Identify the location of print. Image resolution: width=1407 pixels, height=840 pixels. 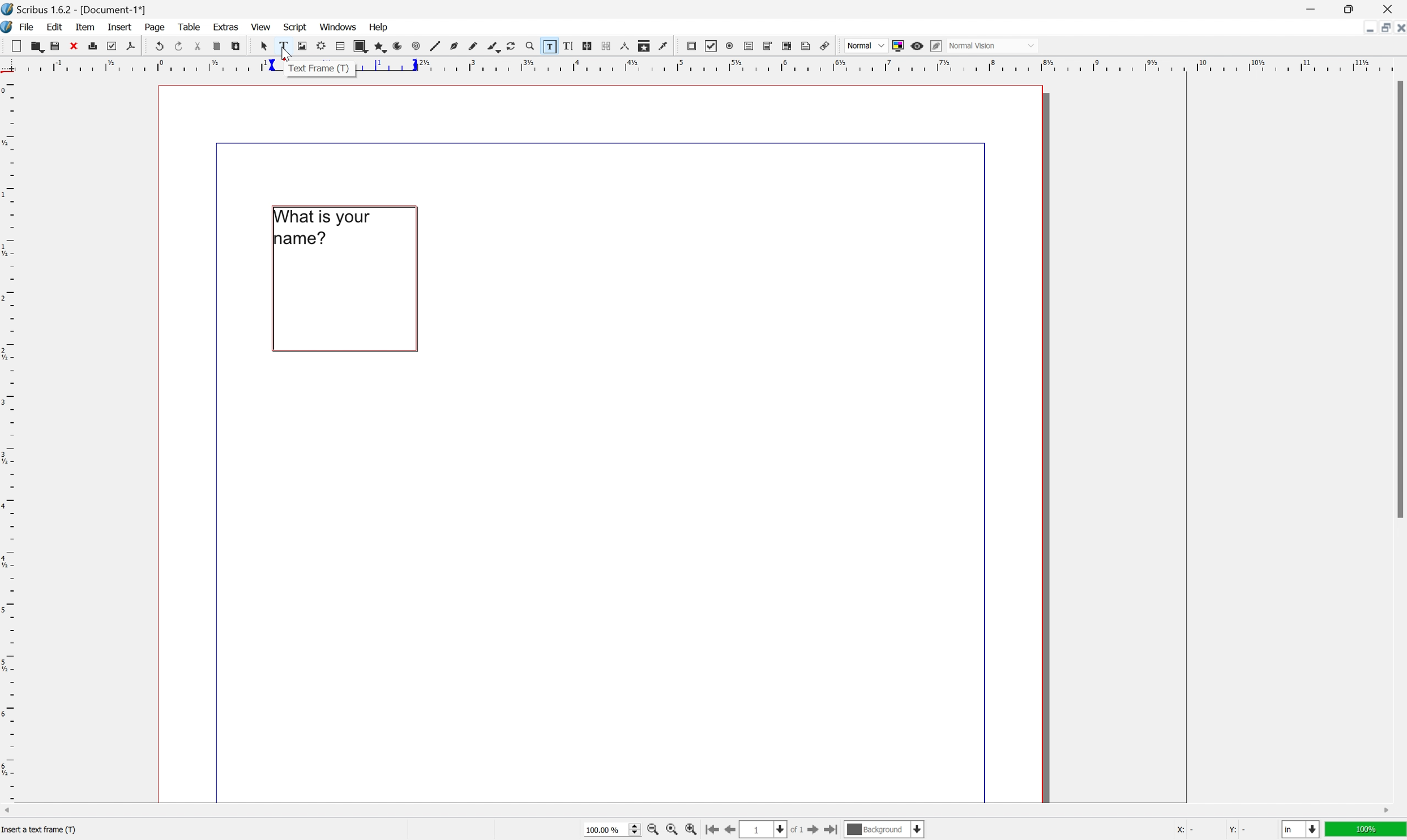
(93, 45).